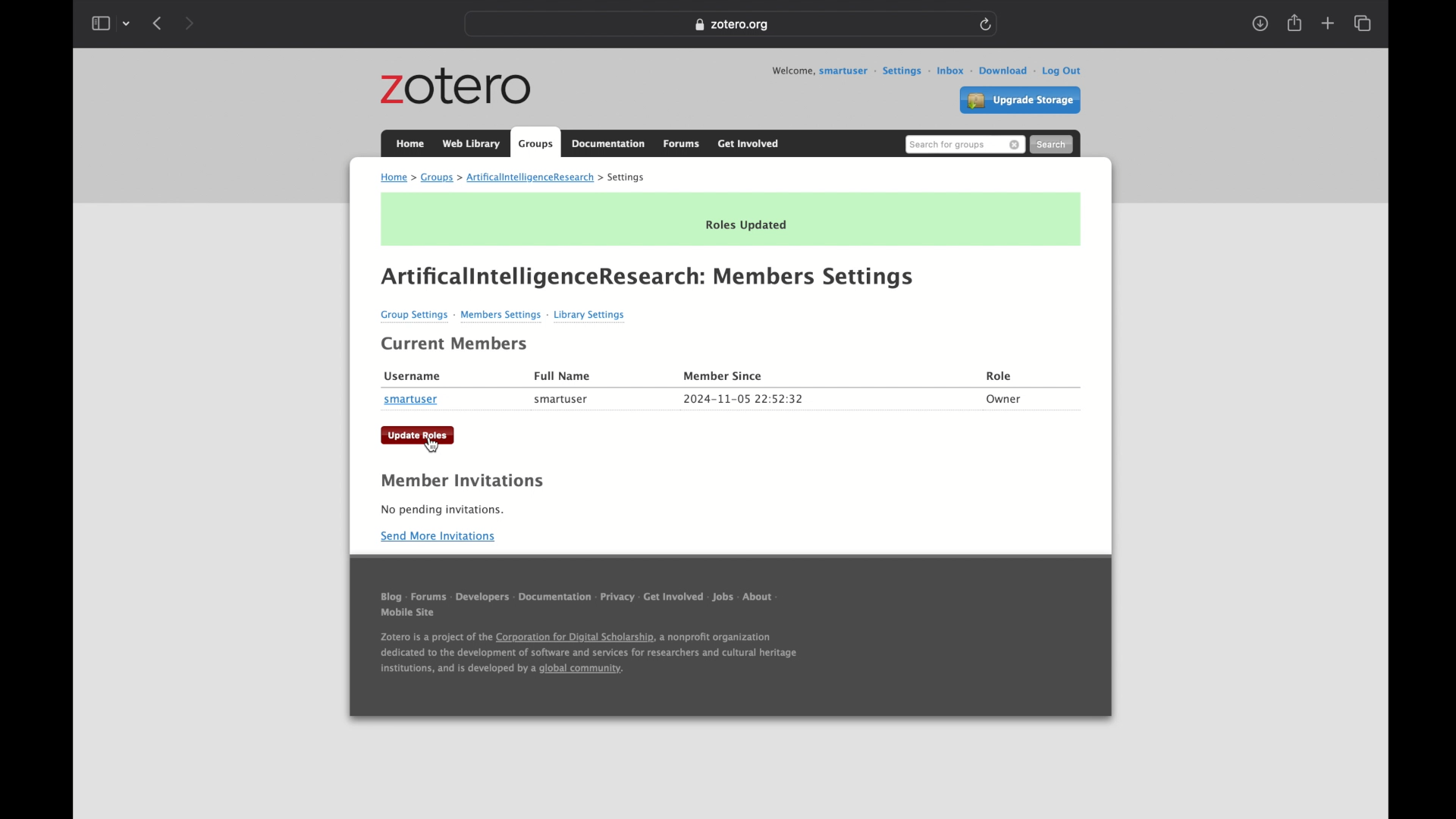  Describe the element at coordinates (525, 178) in the screenshot. I see `artificialintelligenceresearch` at that location.